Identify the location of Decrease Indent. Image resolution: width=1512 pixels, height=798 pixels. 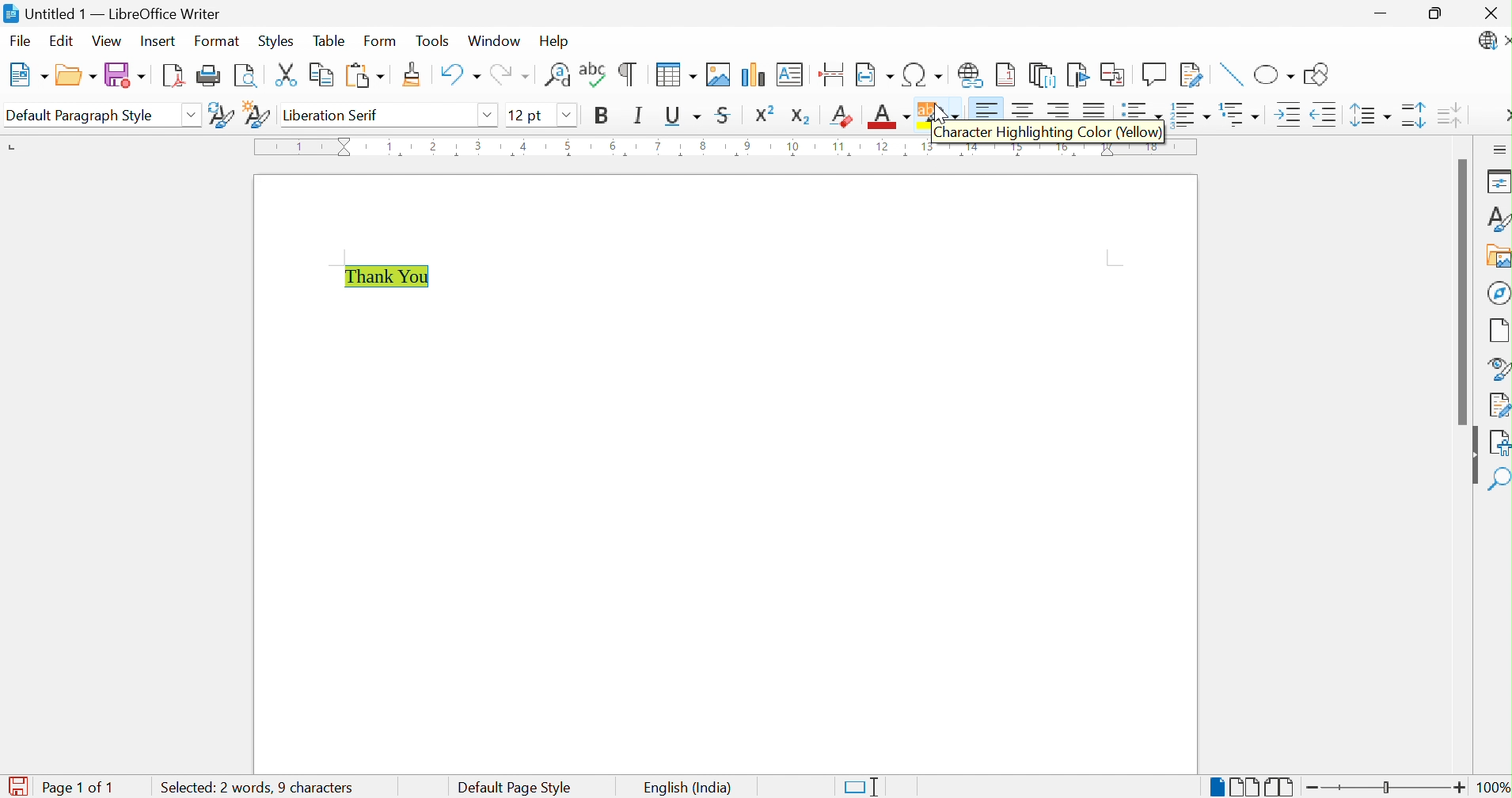
(1325, 114).